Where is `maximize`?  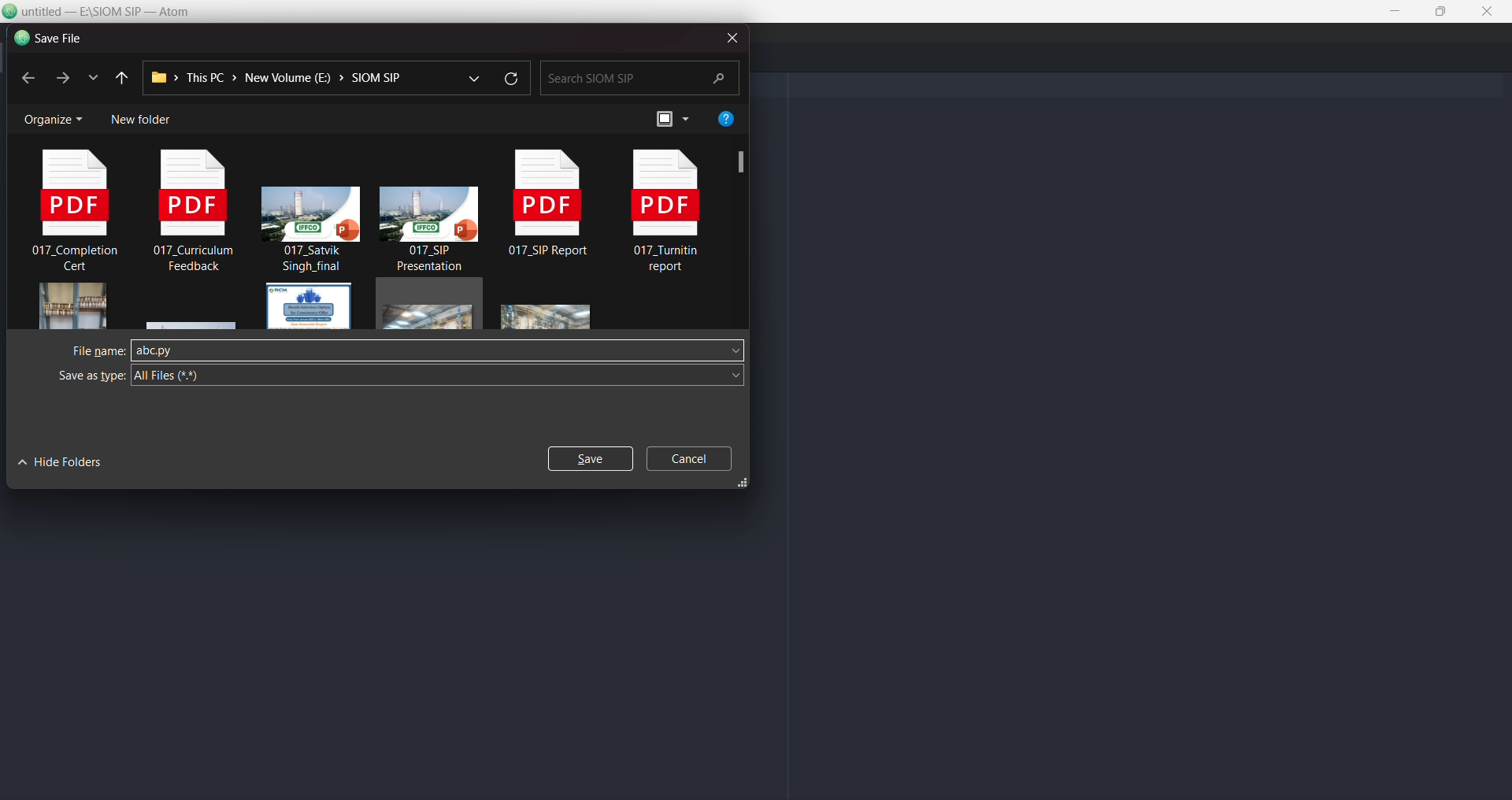
maximize is located at coordinates (1443, 11).